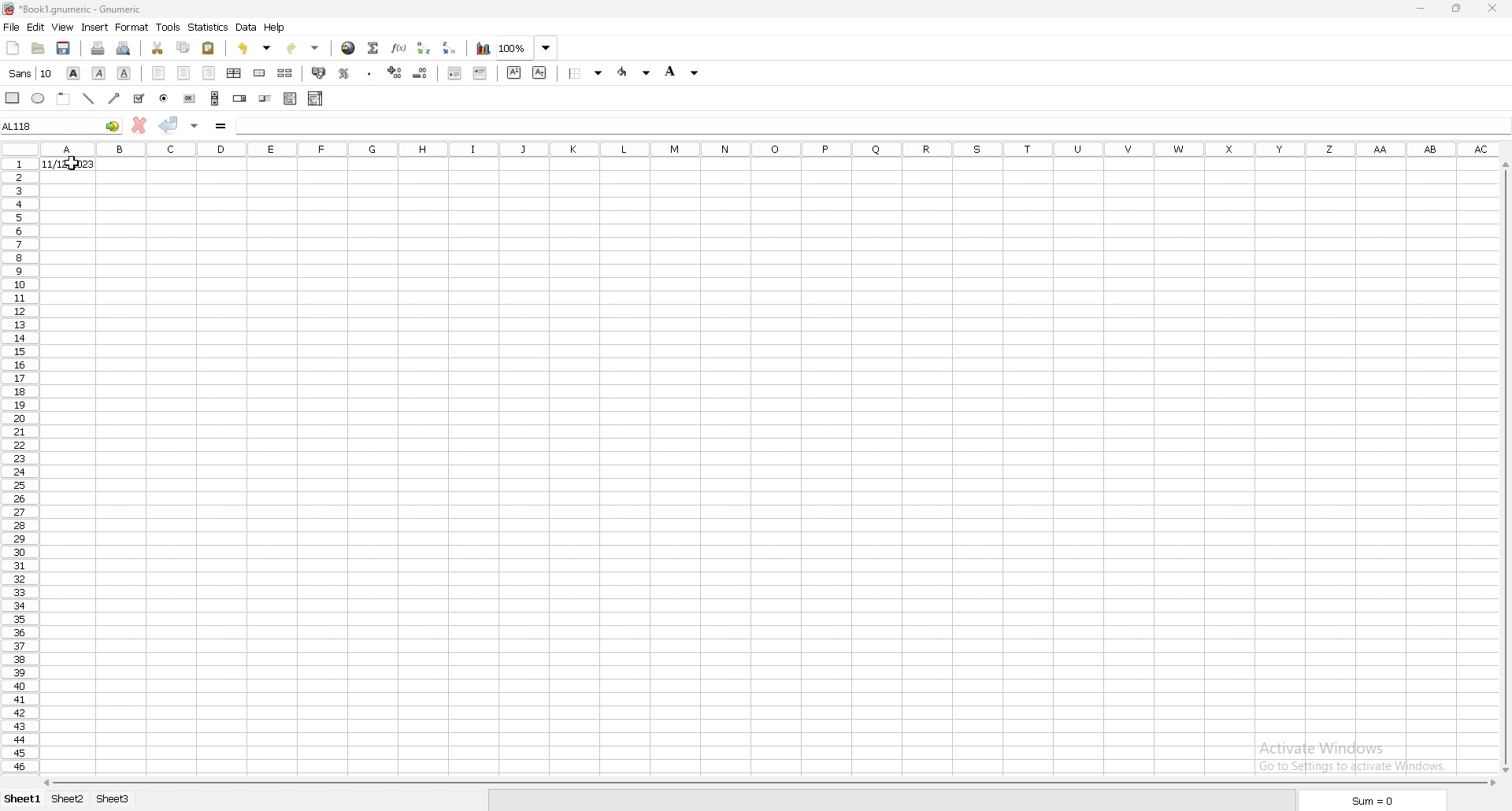 The width and height of the screenshot is (1512, 811). Describe the element at coordinates (209, 73) in the screenshot. I see `right align` at that location.